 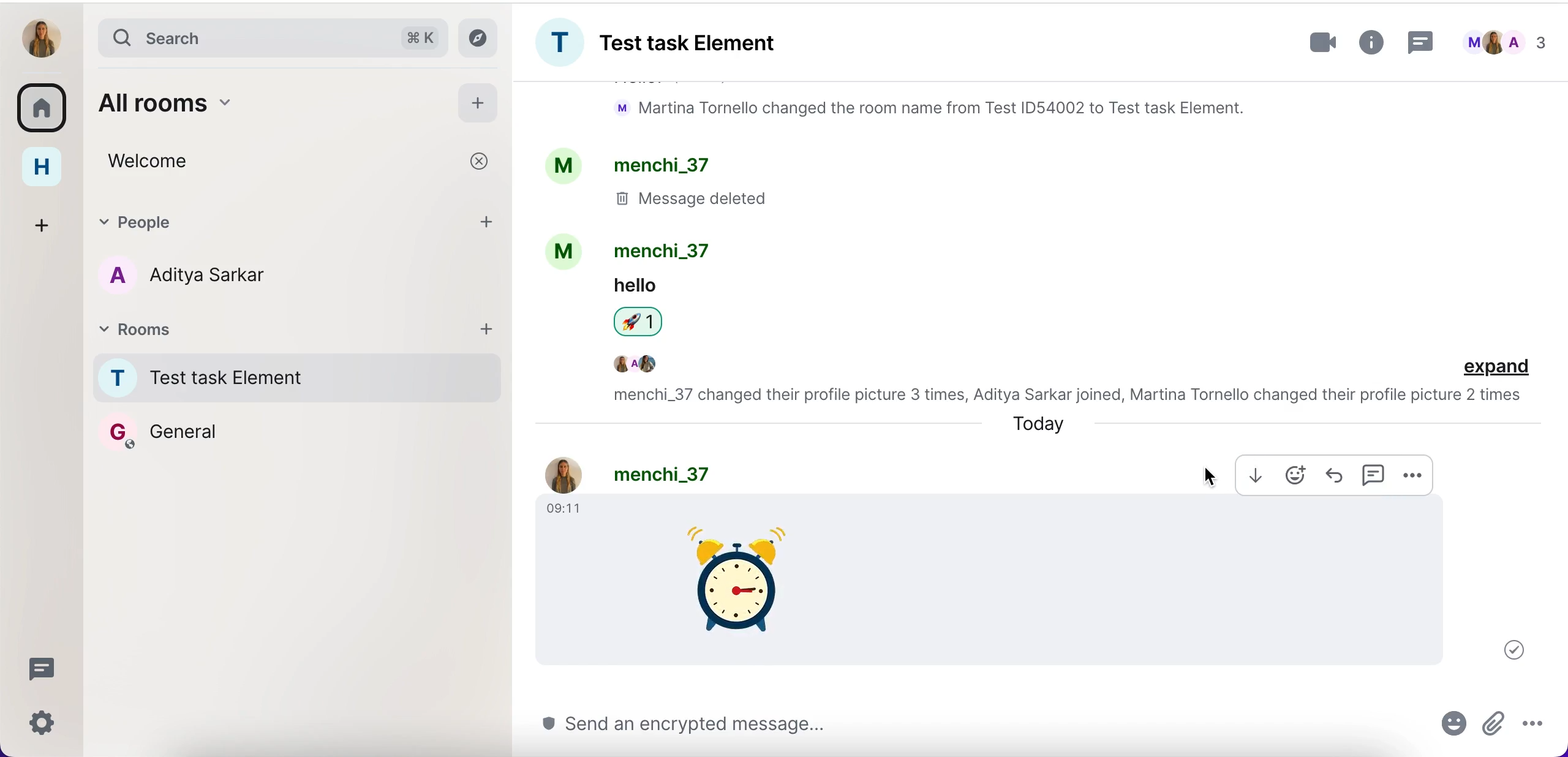 What do you see at coordinates (488, 333) in the screenshot?
I see `add` at bounding box center [488, 333].